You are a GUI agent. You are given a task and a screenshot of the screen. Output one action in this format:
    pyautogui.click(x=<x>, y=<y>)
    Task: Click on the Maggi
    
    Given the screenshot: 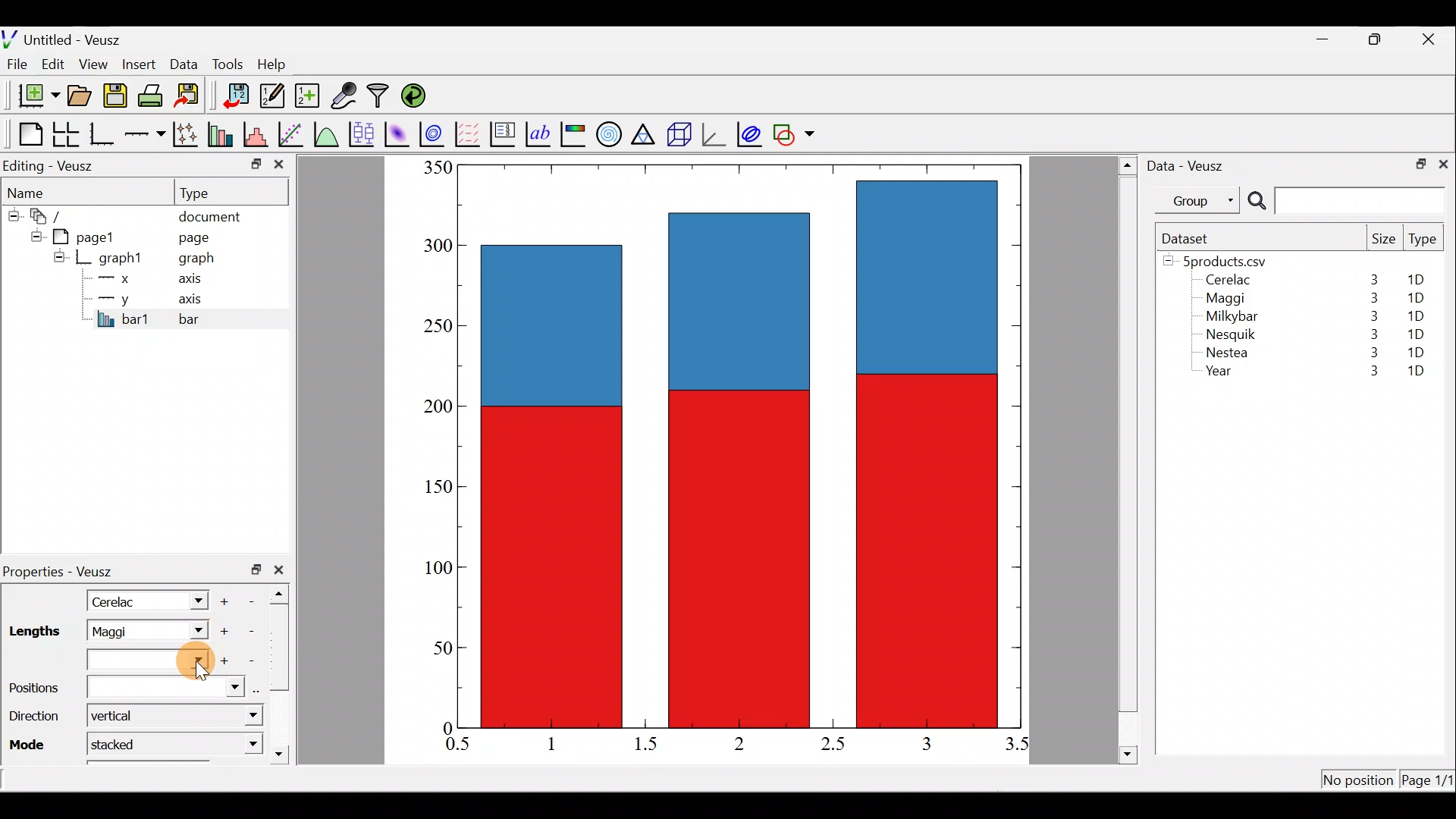 What is the action you would take?
    pyautogui.click(x=127, y=631)
    